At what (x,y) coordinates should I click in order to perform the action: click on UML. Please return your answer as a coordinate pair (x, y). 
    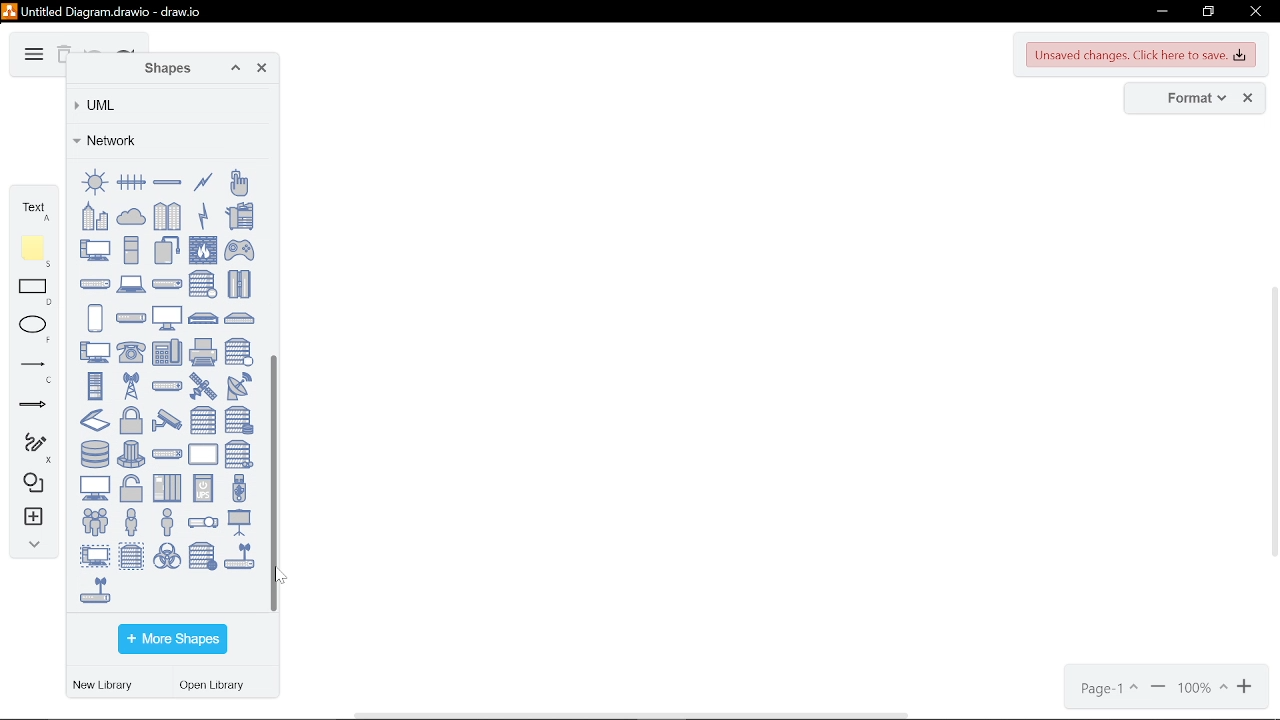
    Looking at the image, I should click on (164, 105).